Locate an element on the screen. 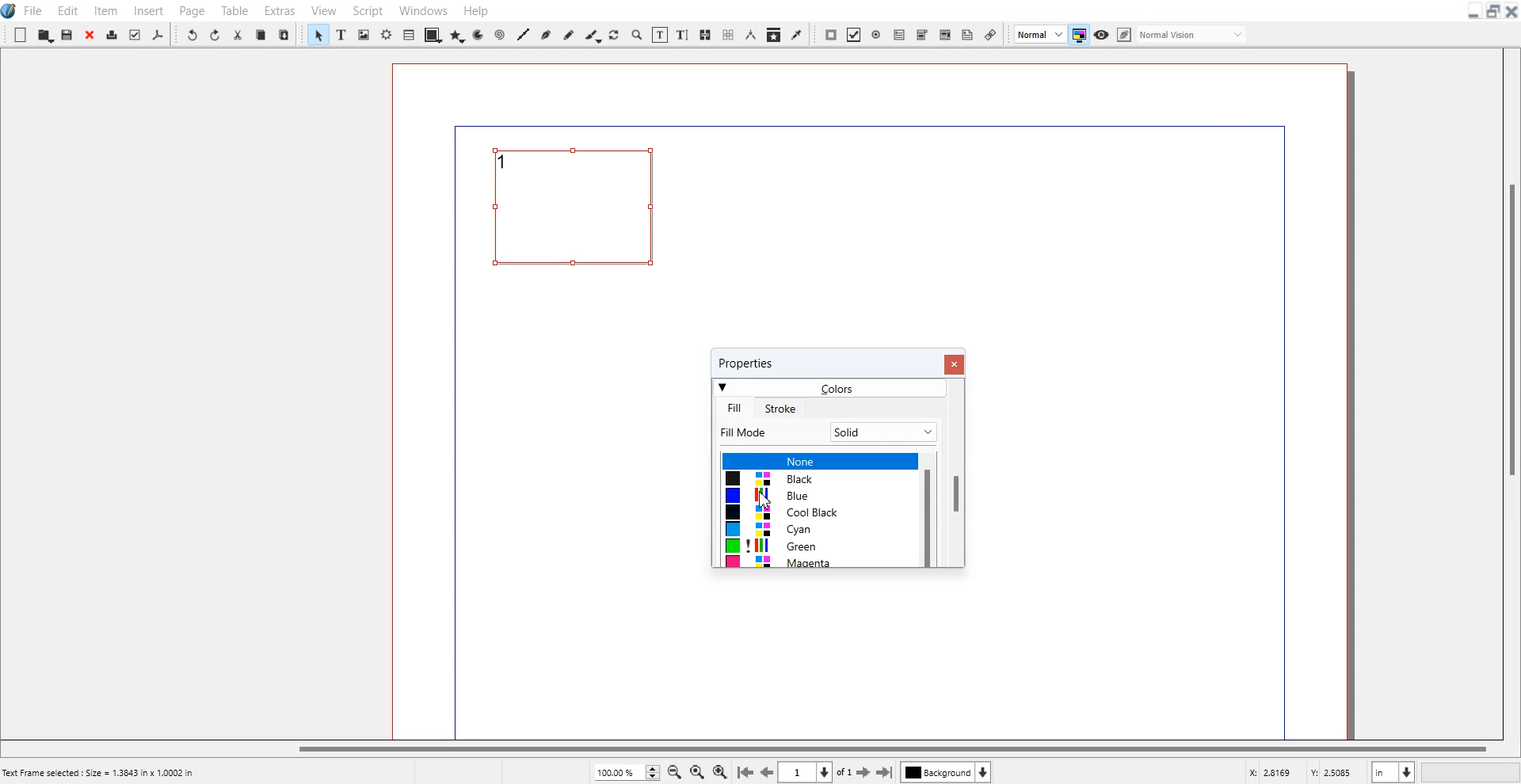 Image resolution: width=1521 pixels, height=784 pixels. Rotate Item is located at coordinates (613, 35).